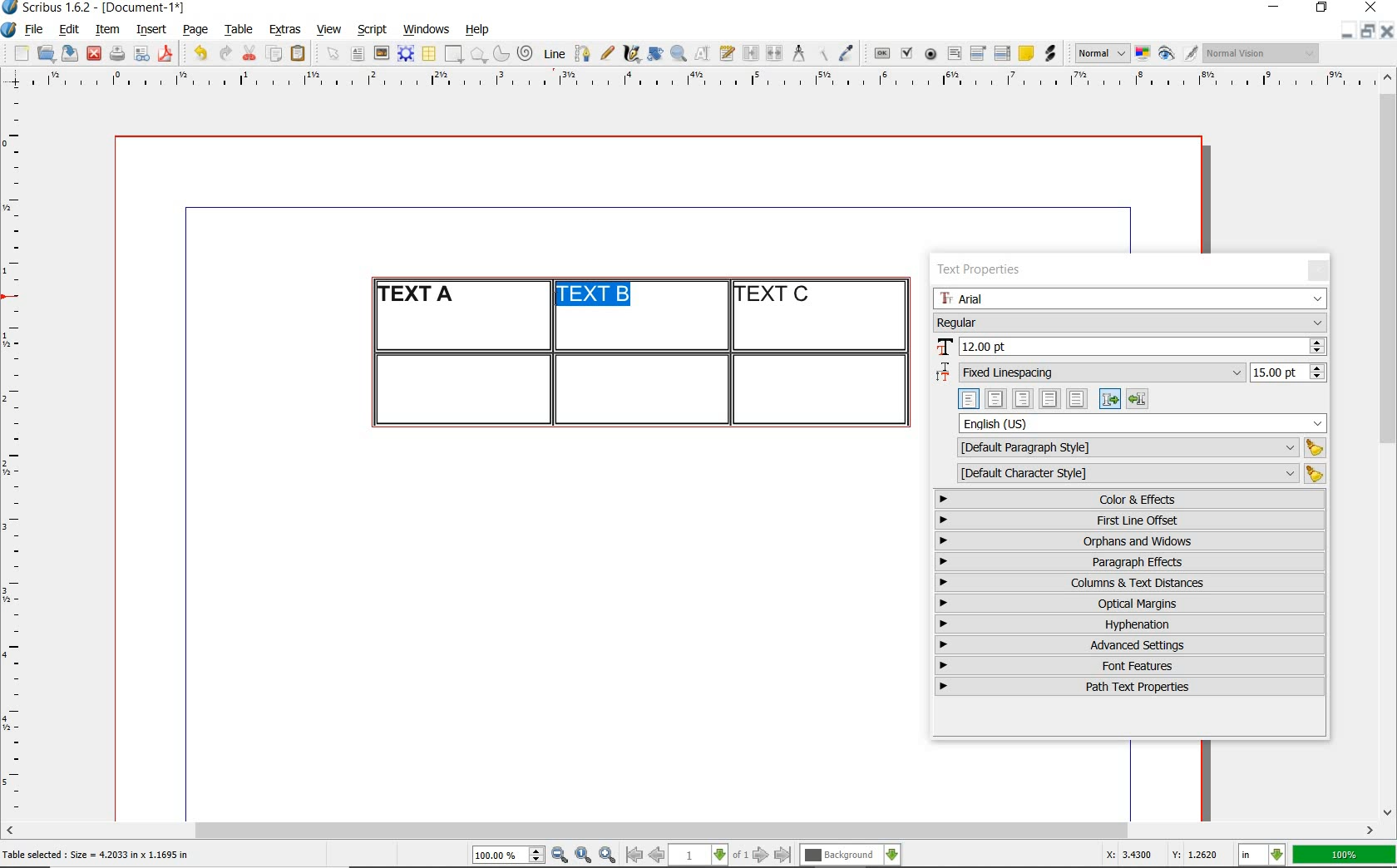 The height and width of the screenshot is (868, 1397). I want to click on text properties, so click(978, 272).